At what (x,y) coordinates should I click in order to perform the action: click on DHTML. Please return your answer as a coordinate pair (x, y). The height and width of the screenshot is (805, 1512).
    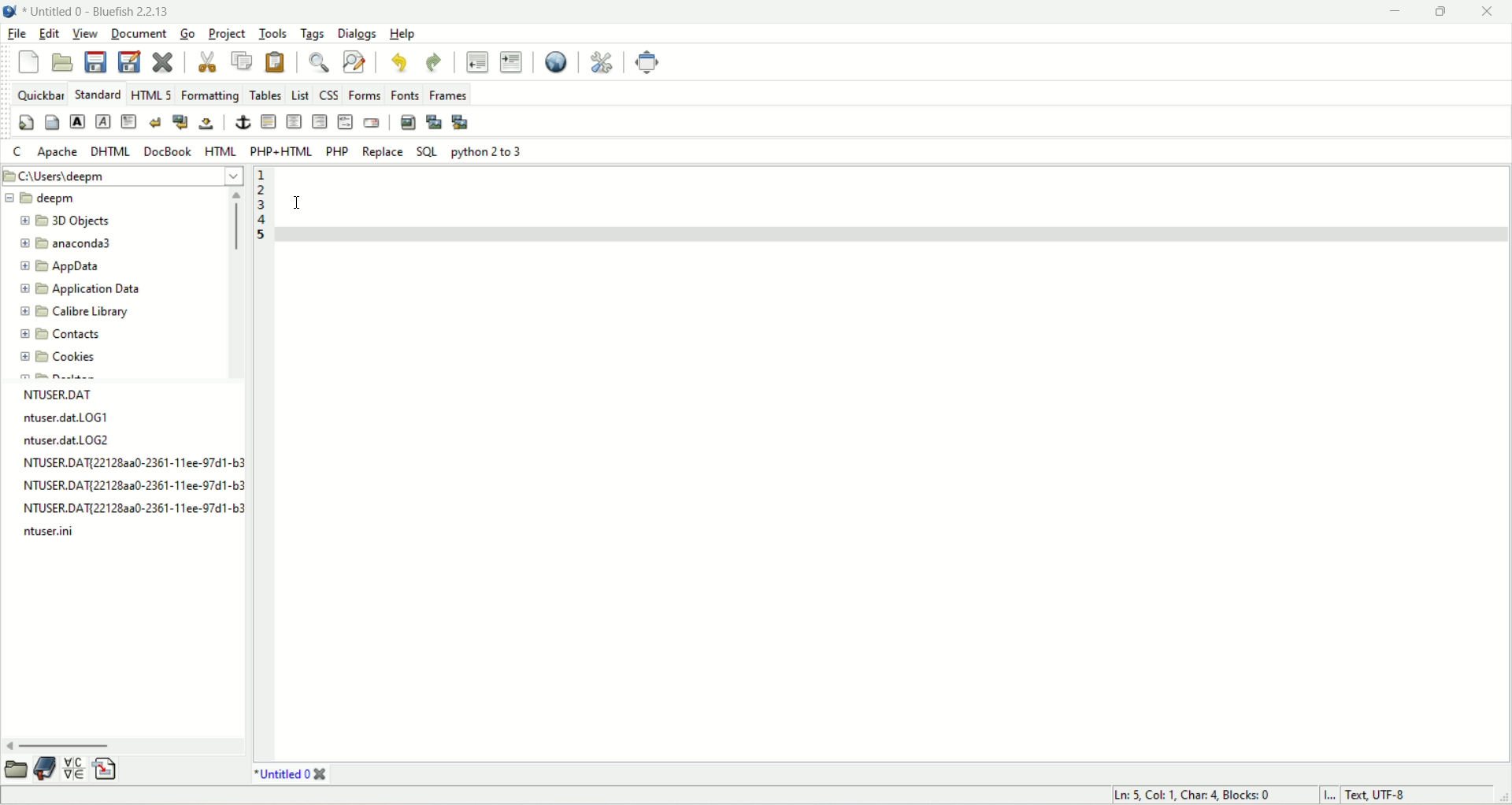
    Looking at the image, I should click on (115, 152).